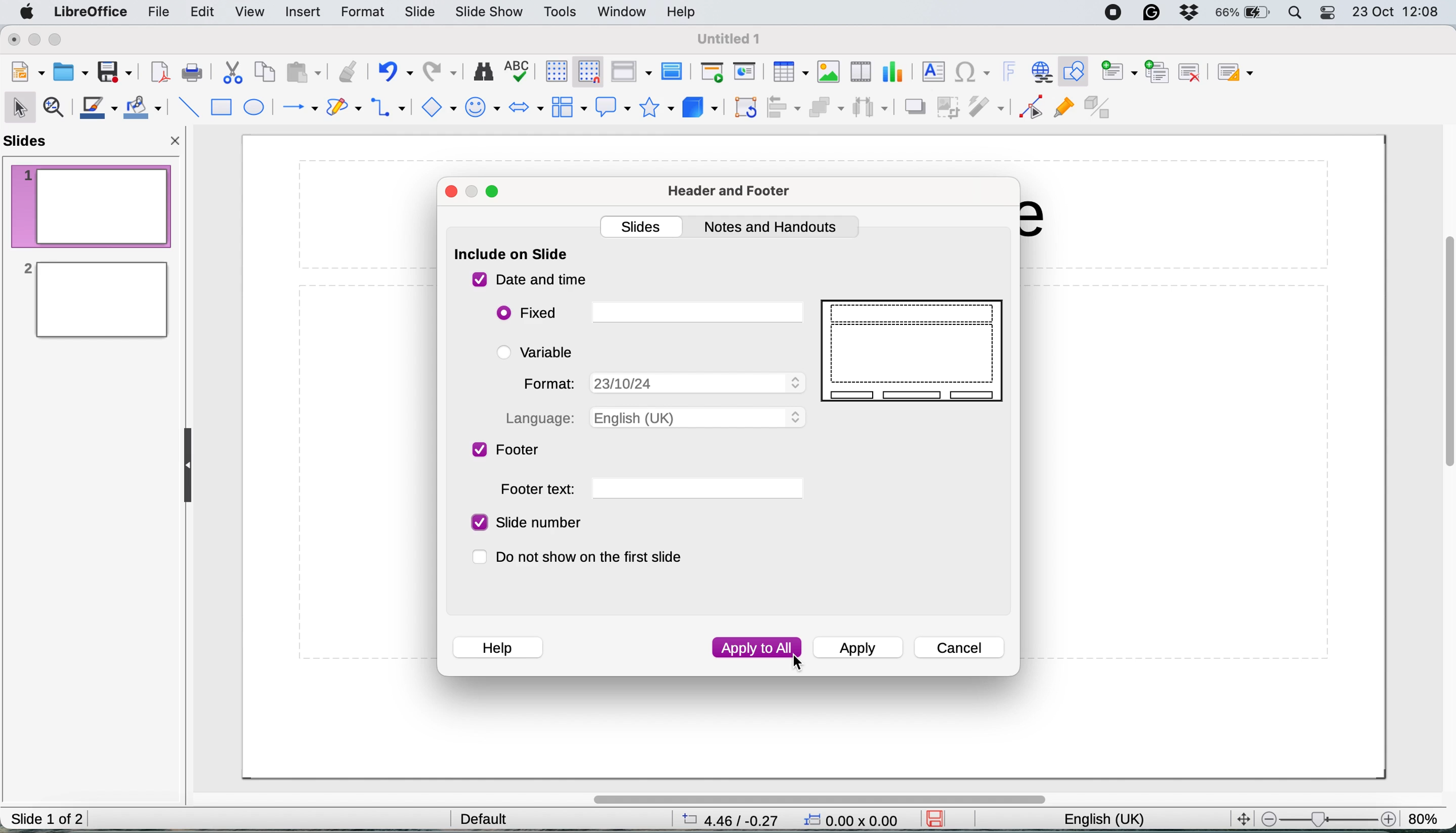  Describe the element at coordinates (92, 13) in the screenshot. I see `libreoffice` at that location.